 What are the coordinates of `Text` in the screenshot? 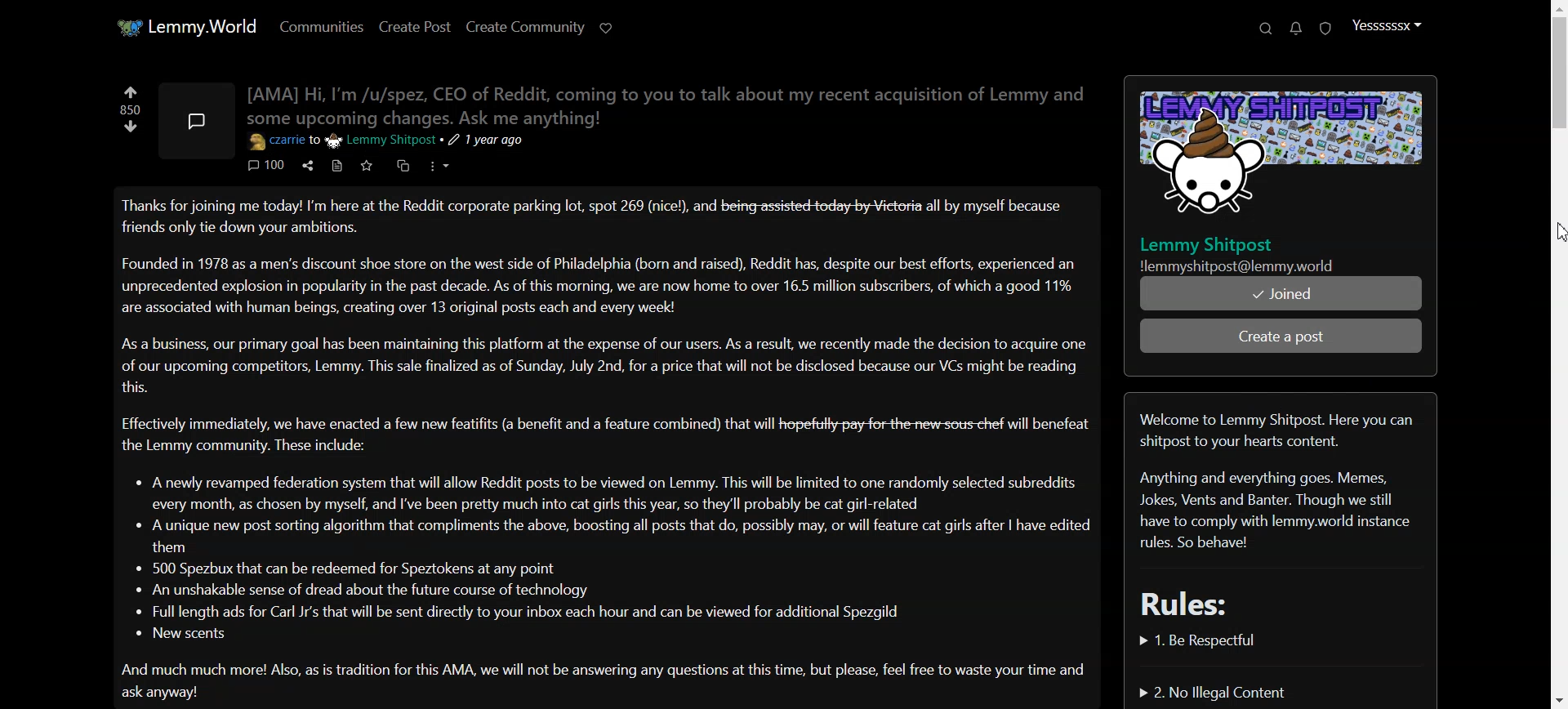 It's located at (668, 105).